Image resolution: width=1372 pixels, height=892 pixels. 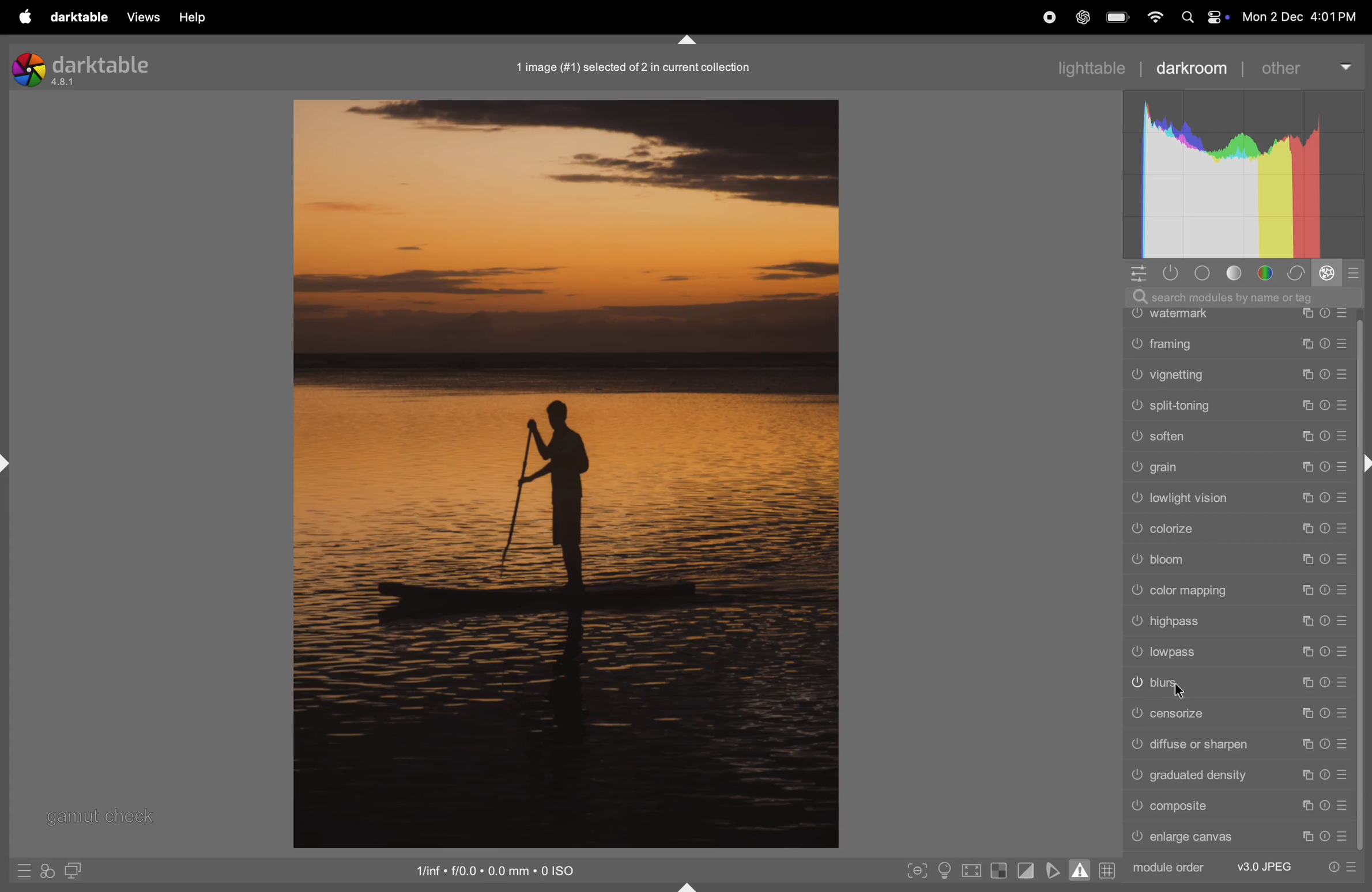 I want to click on low pass, so click(x=1238, y=652).